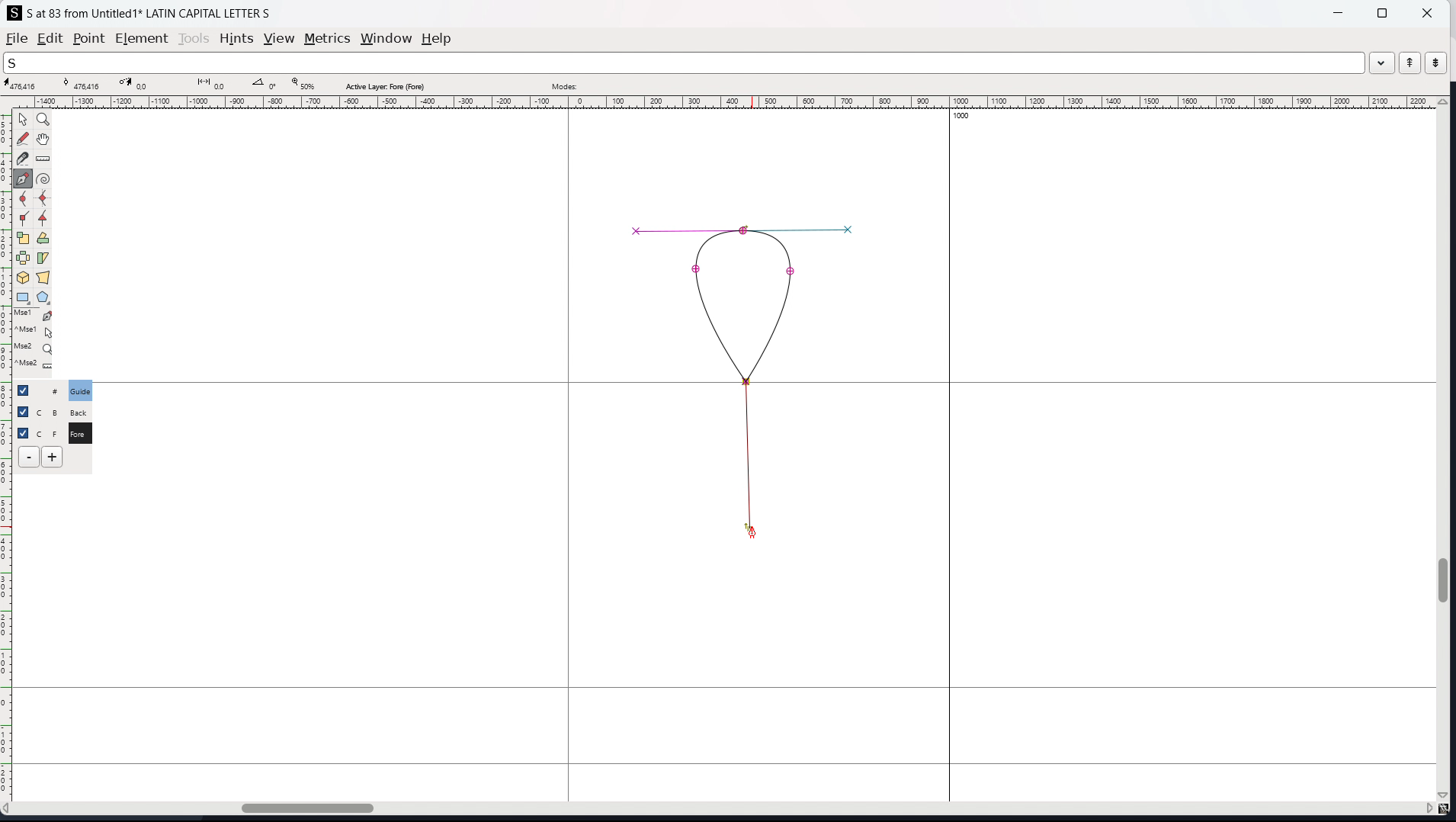  I want to click on selection toggle, so click(24, 432).